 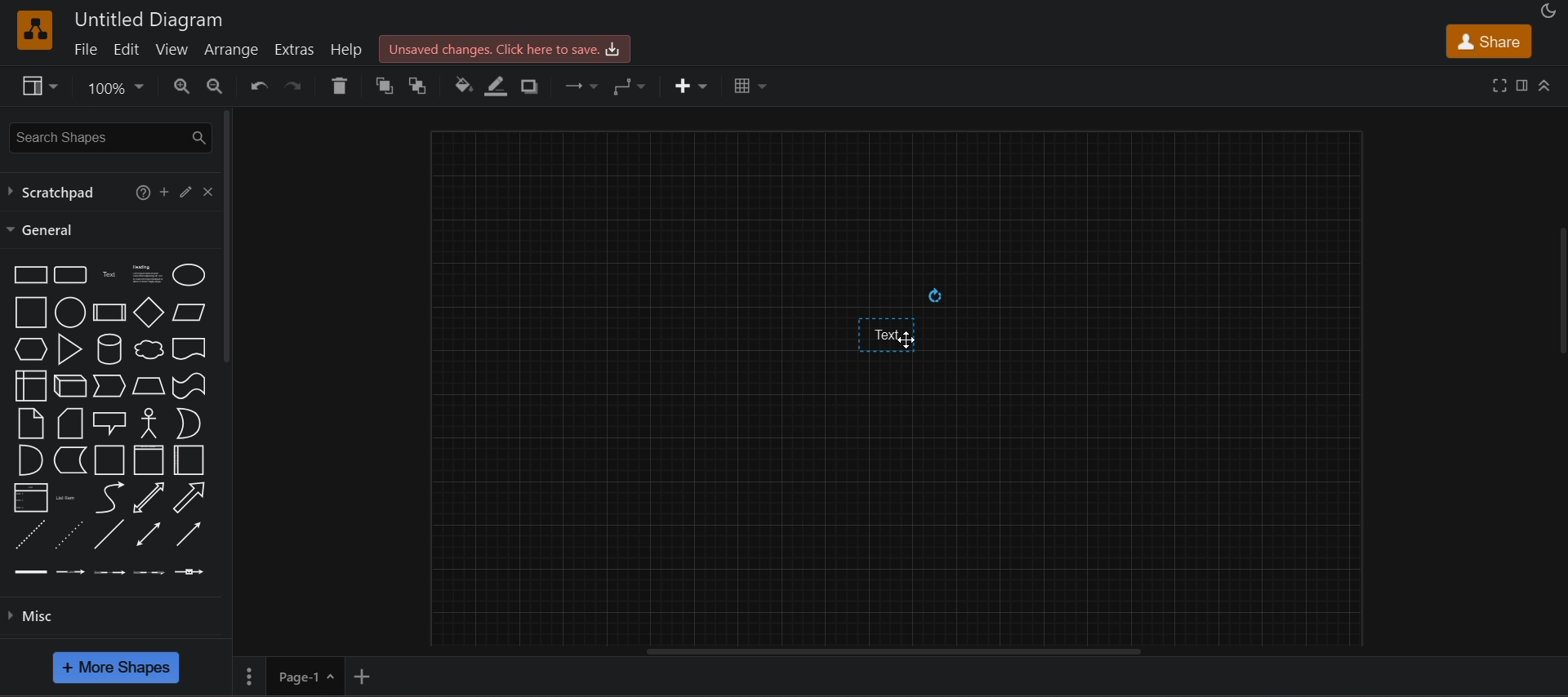 I want to click on Text, so click(x=109, y=275).